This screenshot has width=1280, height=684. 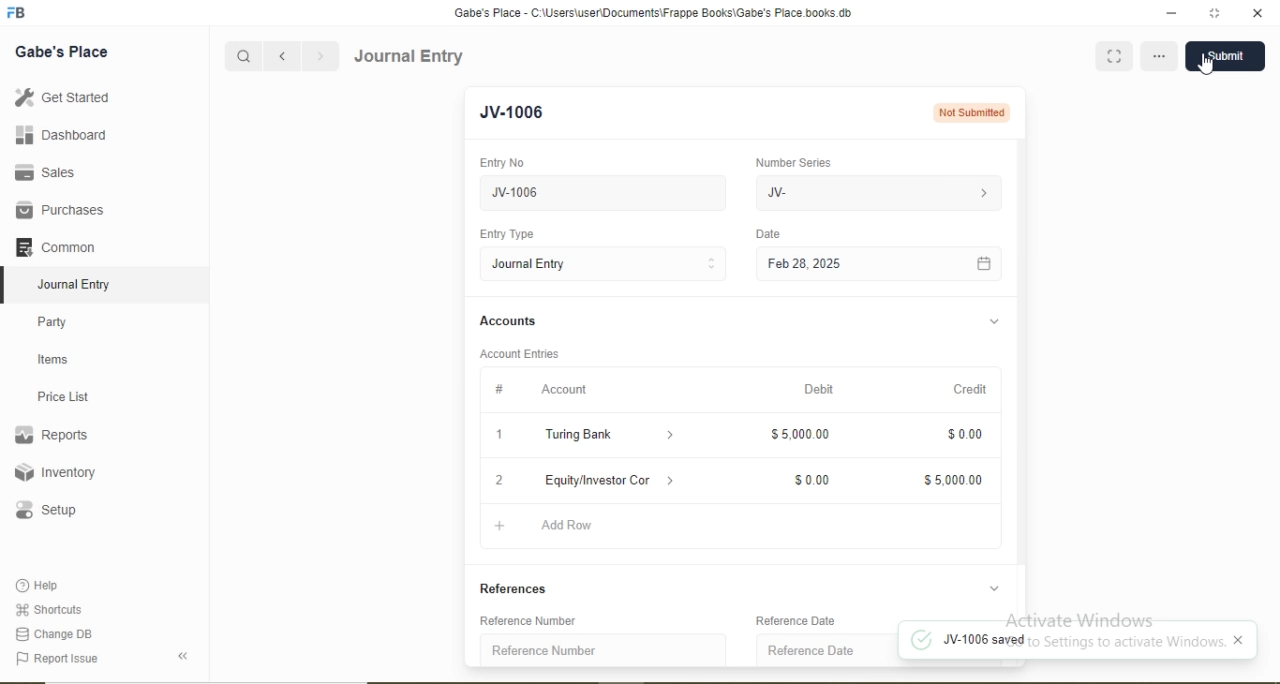 I want to click on Search, so click(x=242, y=57).